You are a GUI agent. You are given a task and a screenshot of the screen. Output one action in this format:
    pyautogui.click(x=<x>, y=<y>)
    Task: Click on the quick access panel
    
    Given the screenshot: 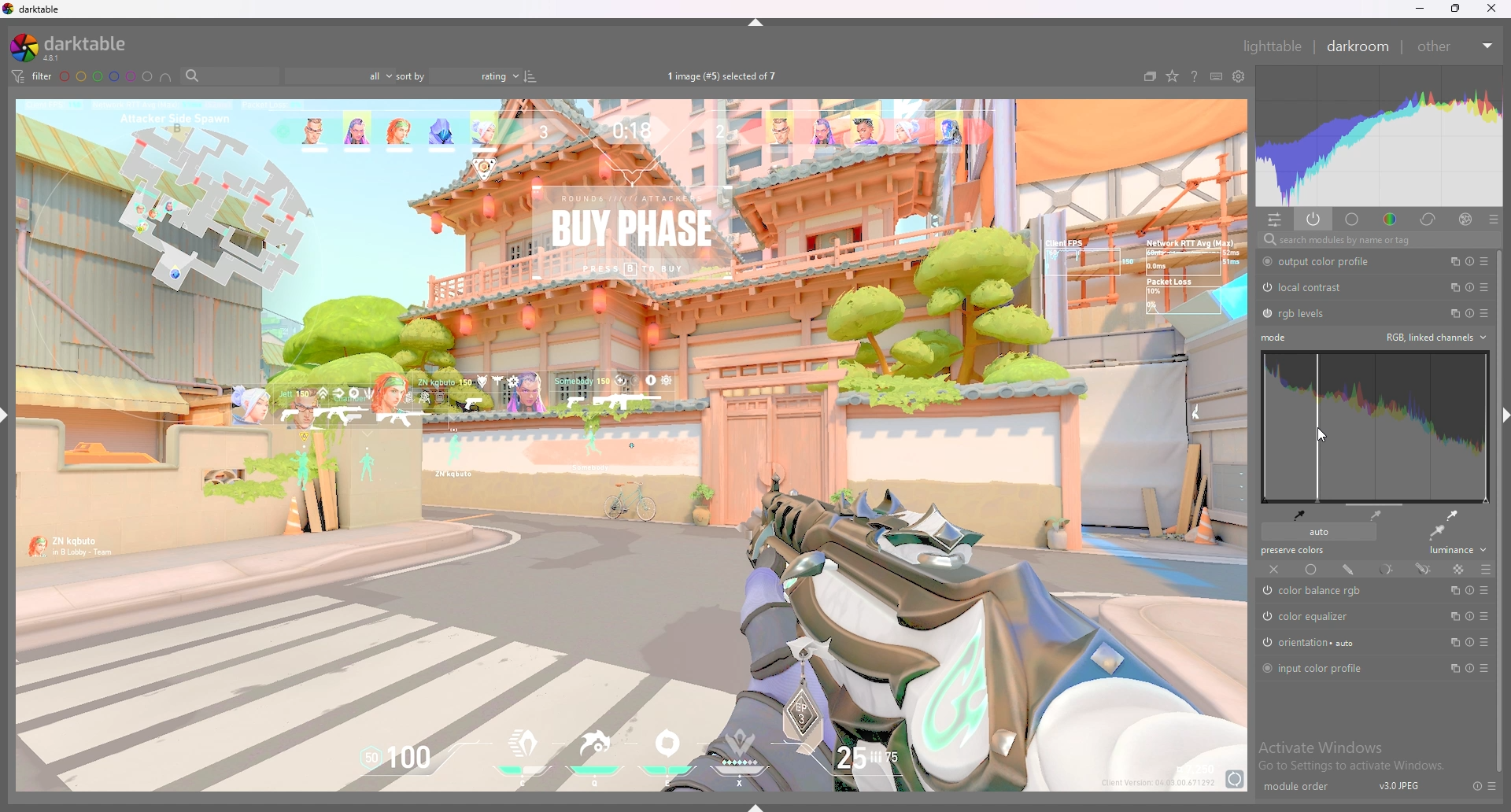 What is the action you would take?
    pyautogui.click(x=1276, y=220)
    